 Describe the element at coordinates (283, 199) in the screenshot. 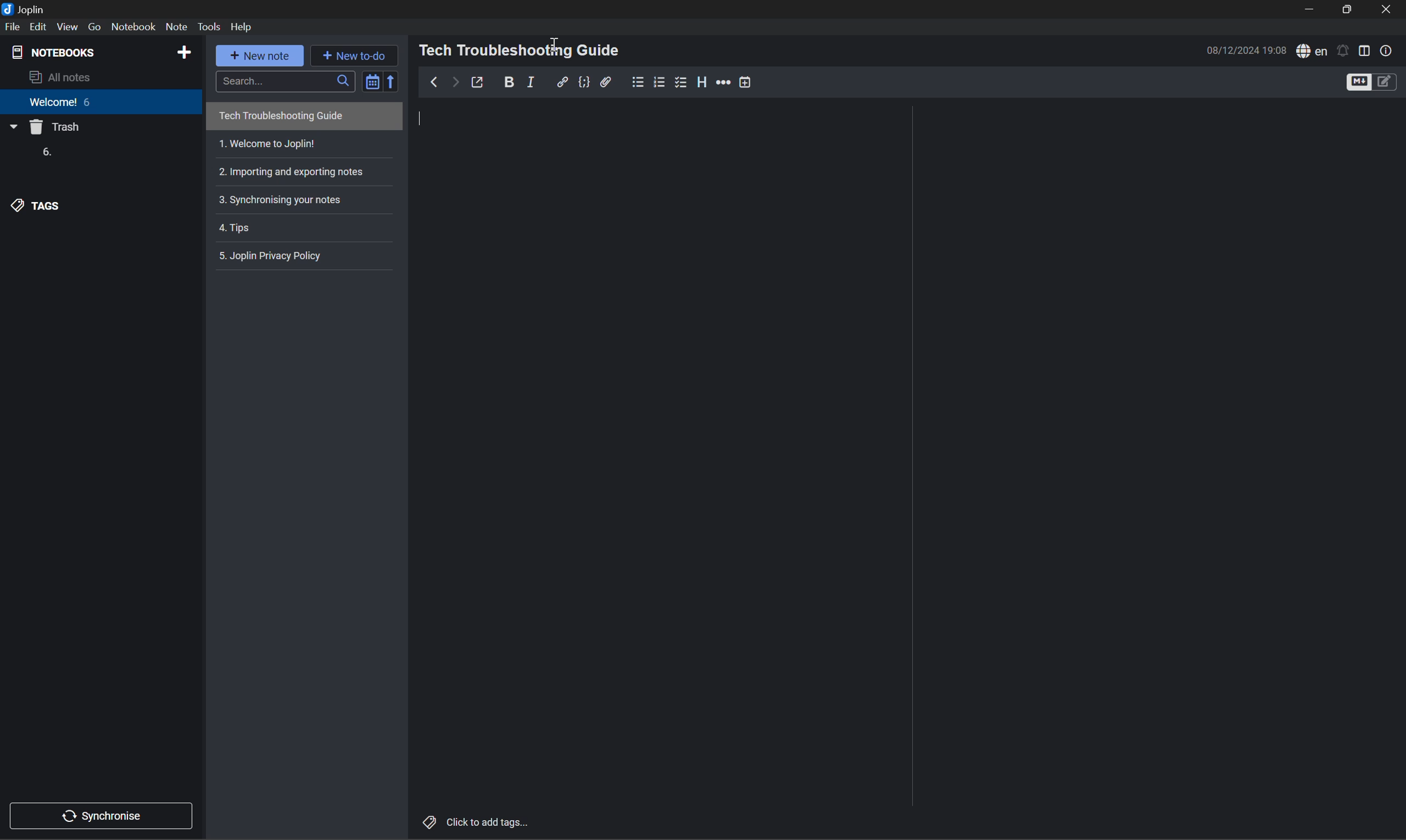

I see `3. Synchronising your notes` at that location.